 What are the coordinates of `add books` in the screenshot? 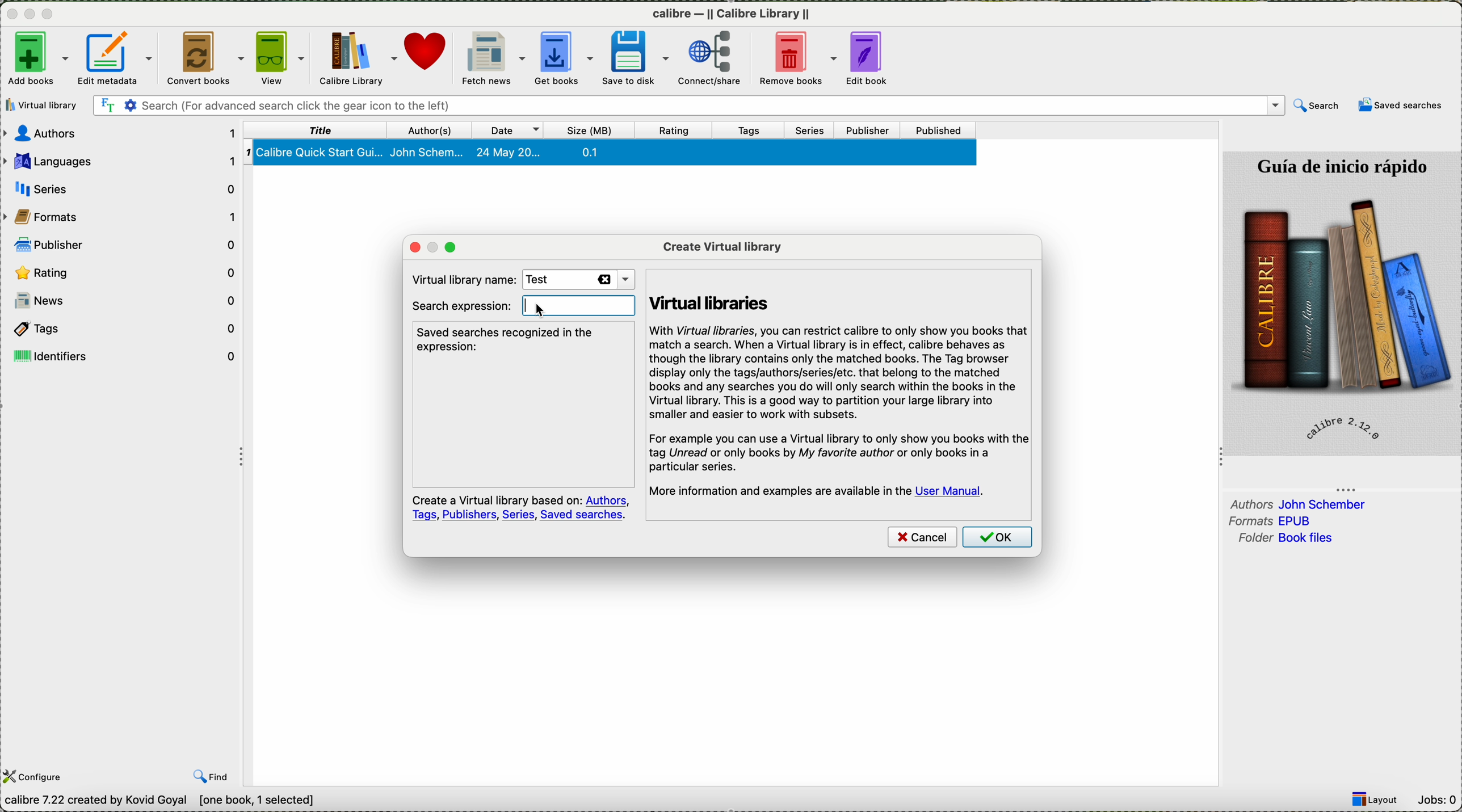 It's located at (36, 57).